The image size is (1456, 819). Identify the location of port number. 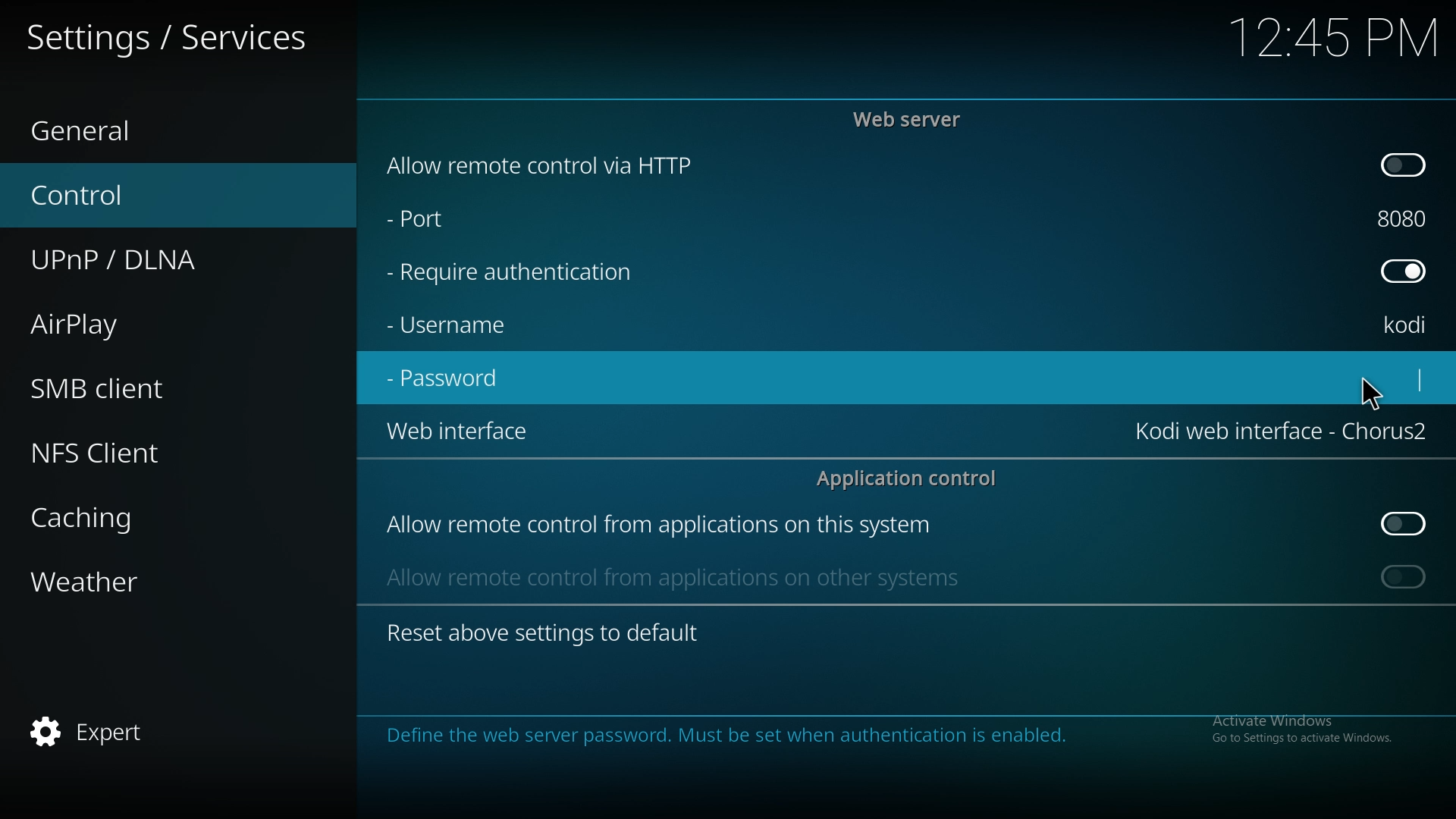
(1406, 215).